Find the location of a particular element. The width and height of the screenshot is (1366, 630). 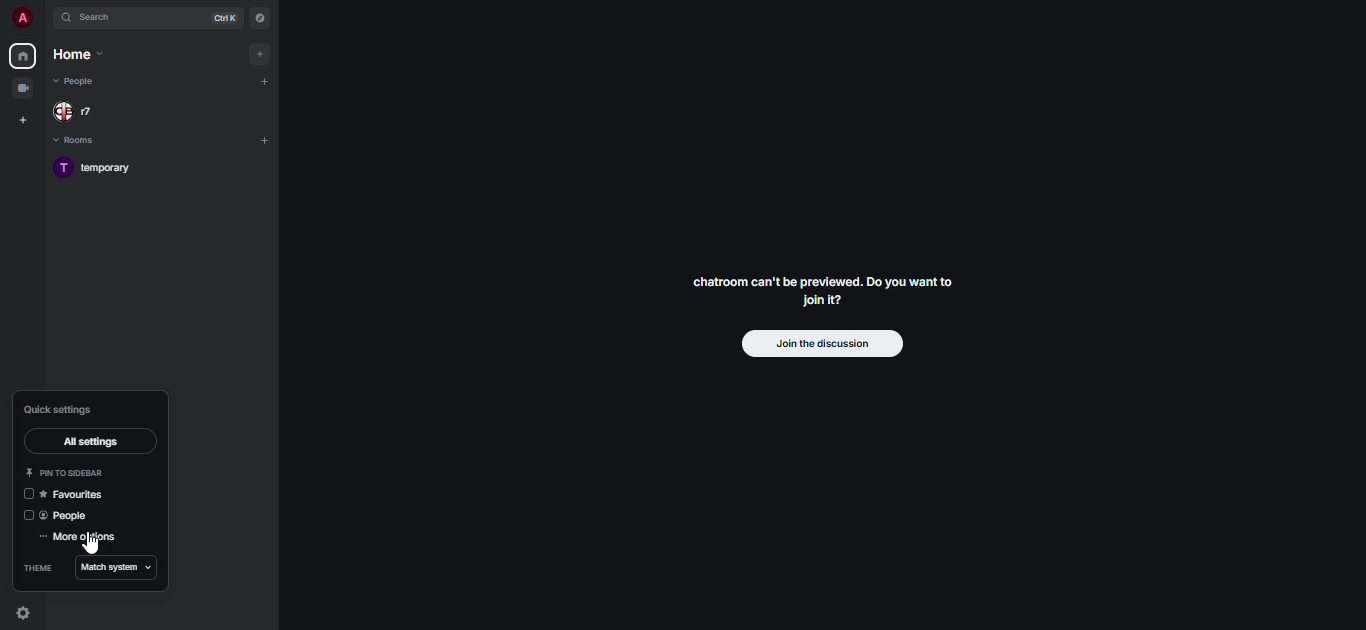

home is located at coordinates (78, 57).